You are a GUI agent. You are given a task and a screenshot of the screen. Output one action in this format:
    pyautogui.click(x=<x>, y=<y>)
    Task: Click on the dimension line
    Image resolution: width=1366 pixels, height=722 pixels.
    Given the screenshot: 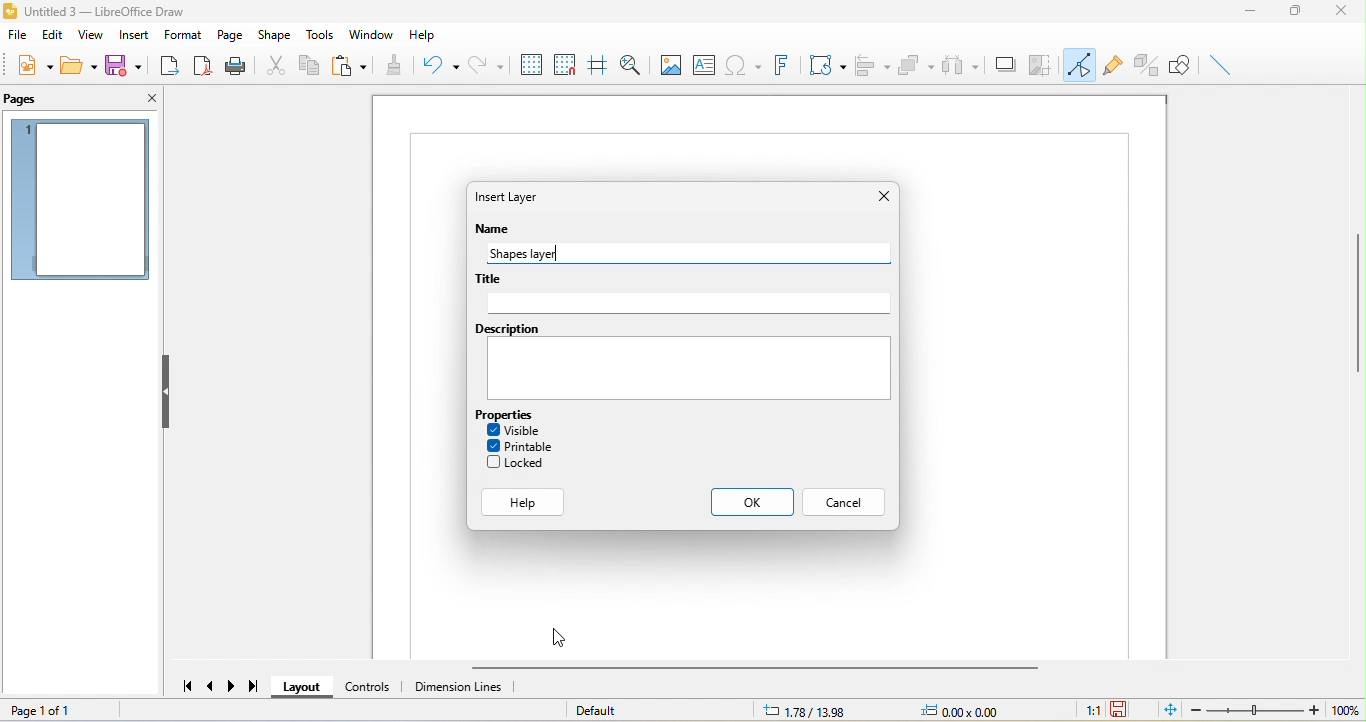 What is the action you would take?
    pyautogui.click(x=469, y=689)
    